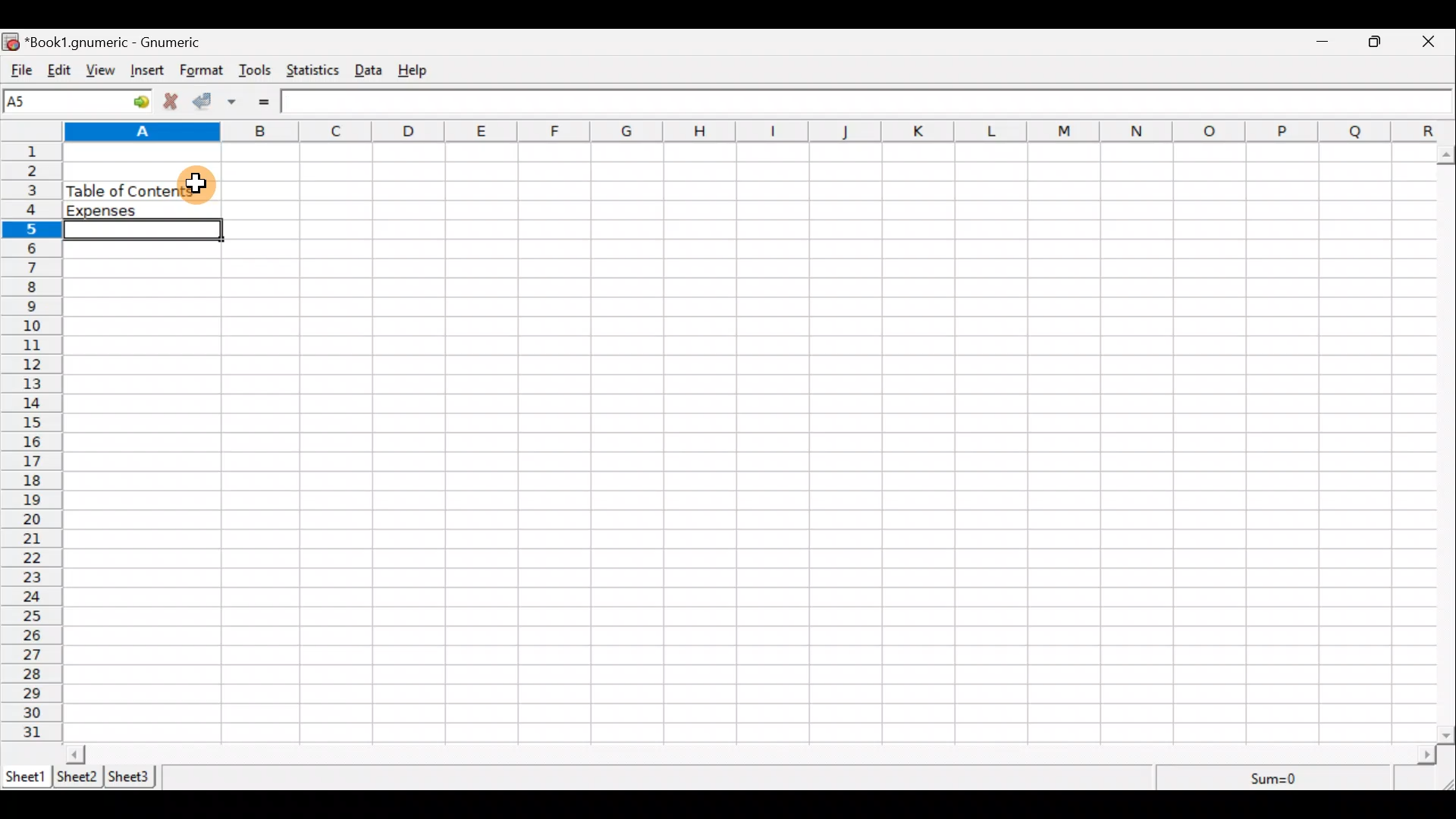 The height and width of the screenshot is (819, 1456). I want to click on Insert, so click(149, 72).